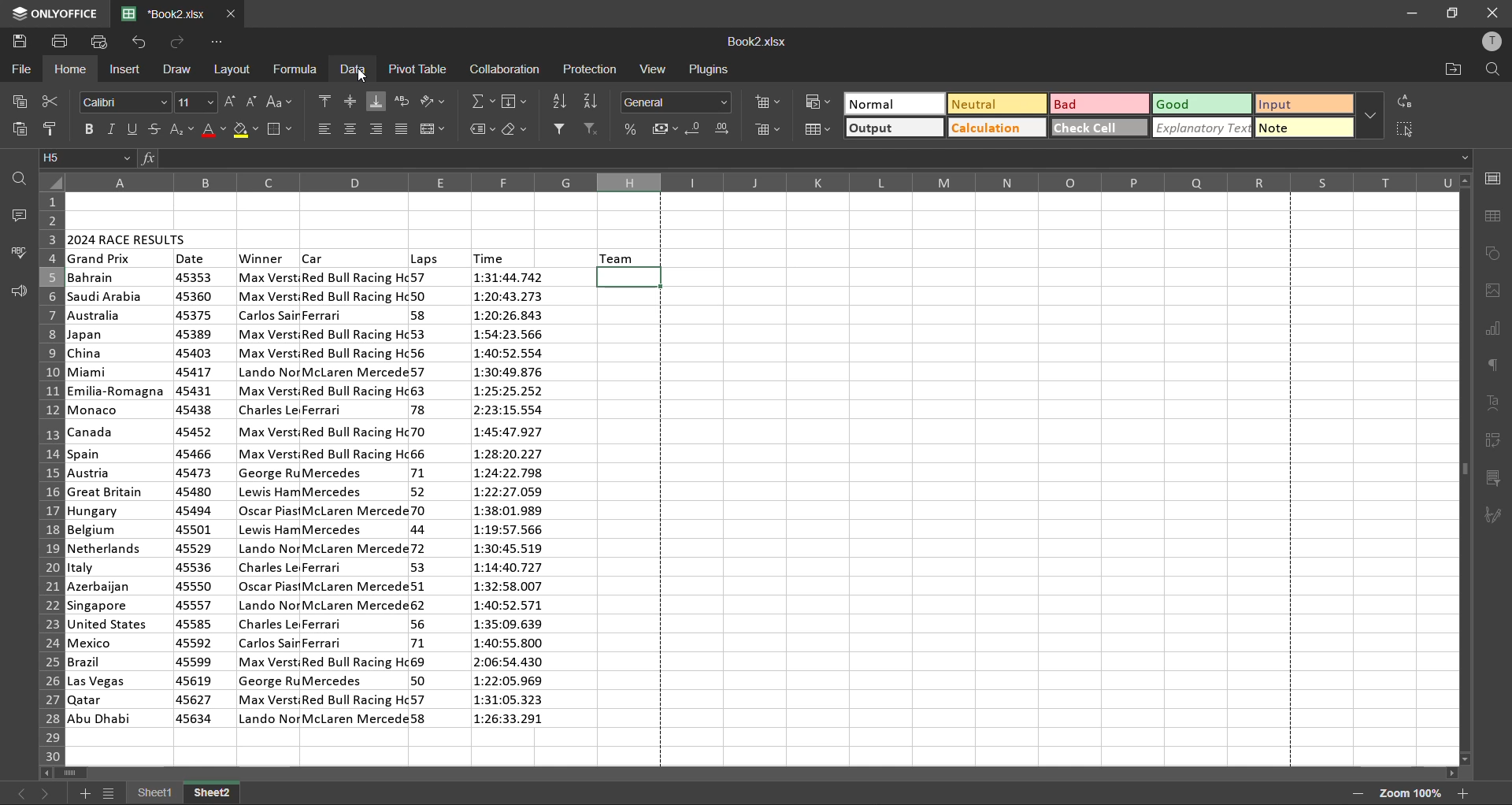 The width and height of the screenshot is (1512, 805). Describe the element at coordinates (280, 104) in the screenshot. I see `change case` at that location.